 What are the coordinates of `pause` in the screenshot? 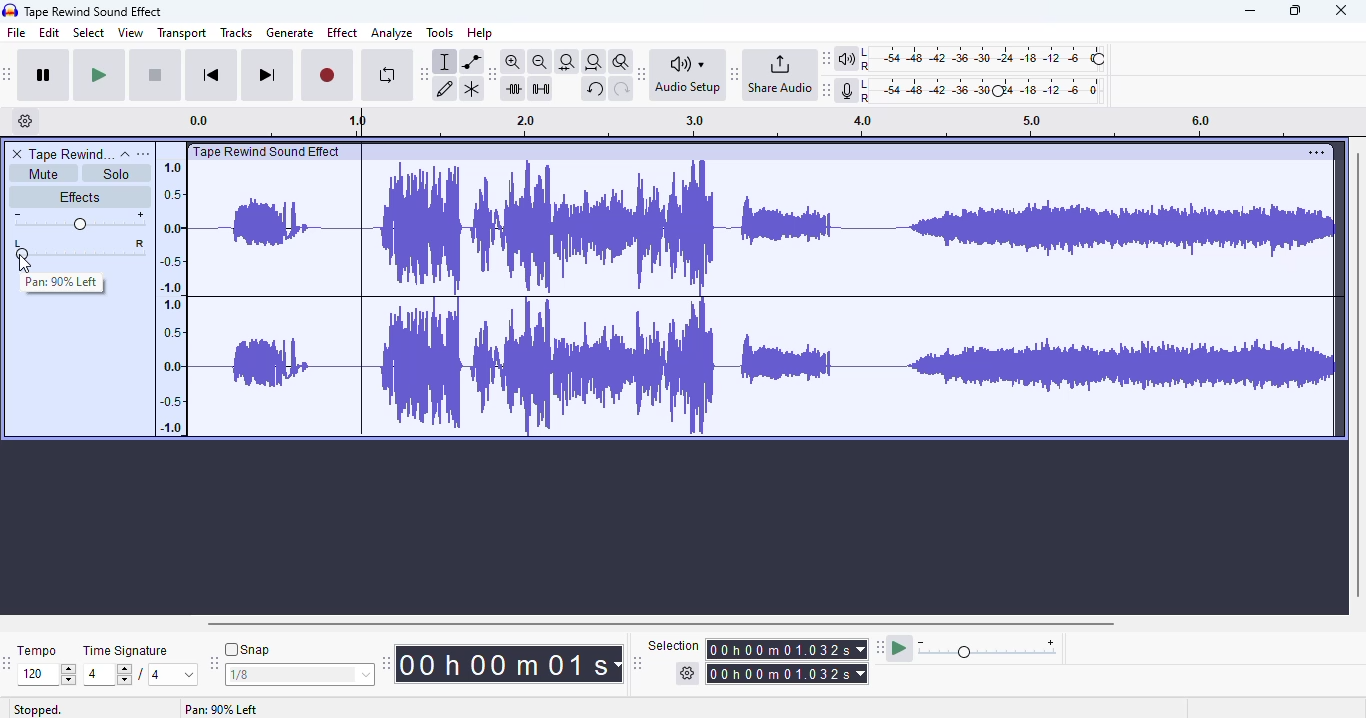 It's located at (44, 75).